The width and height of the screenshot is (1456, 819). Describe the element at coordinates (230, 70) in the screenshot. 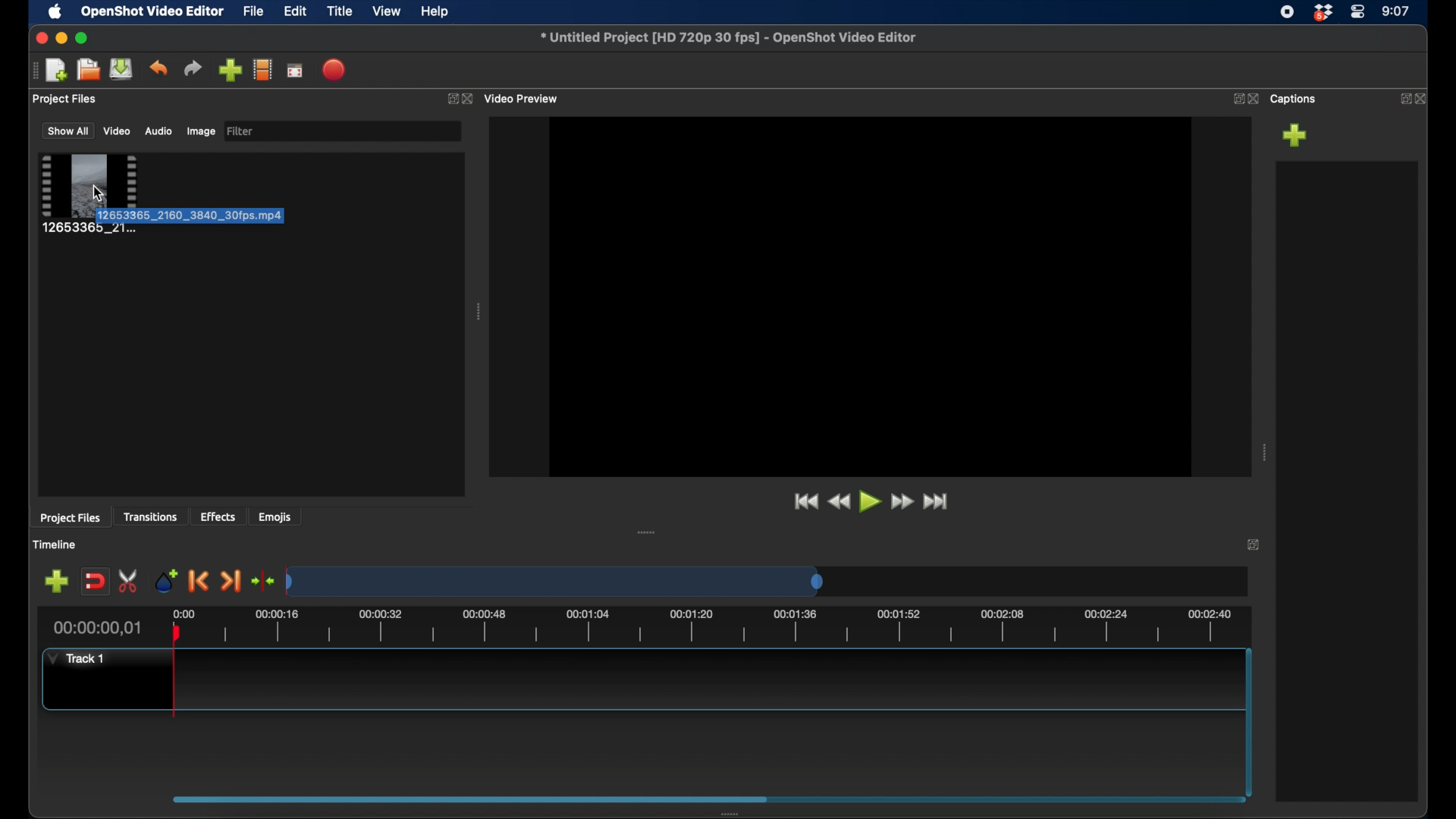

I see `import files` at that location.